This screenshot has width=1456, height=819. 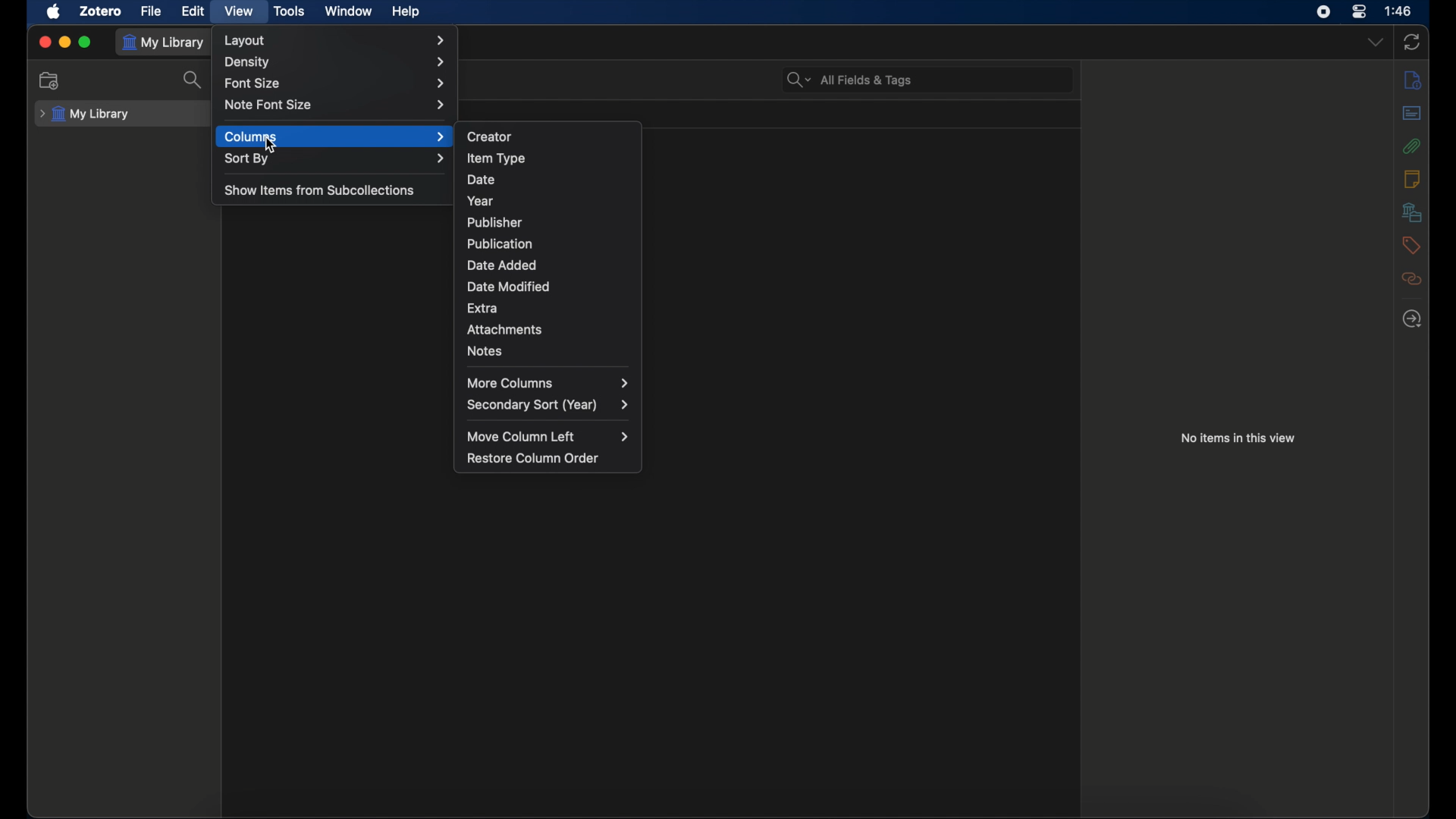 I want to click on notes, so click(x=484, y=350).